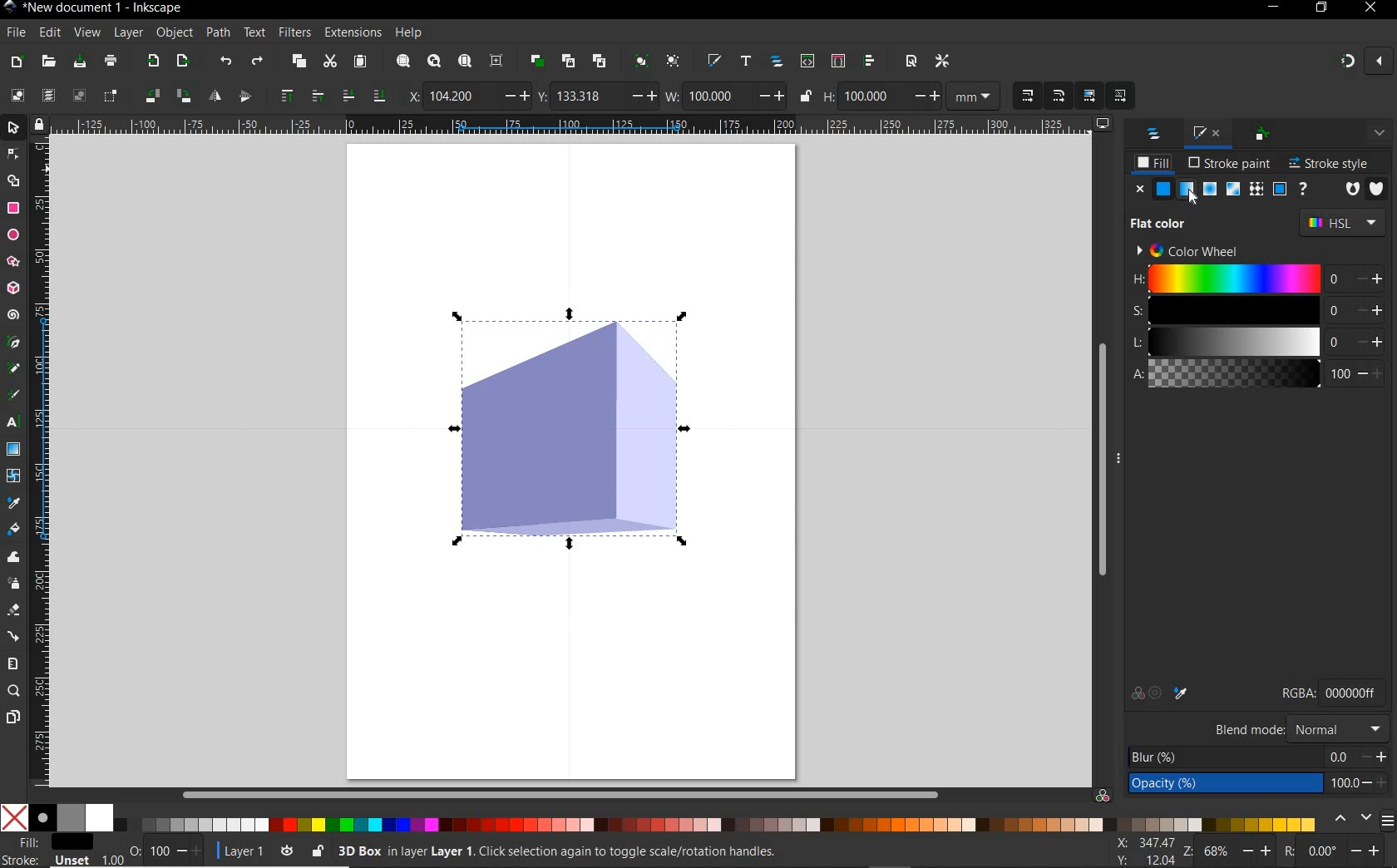 Image resolution: width=1397 pixels, height=868 pixels. What do you see at coordinates (359, 62) in the screenshot?
I see `PASTE` at bounding box center [359, 62].